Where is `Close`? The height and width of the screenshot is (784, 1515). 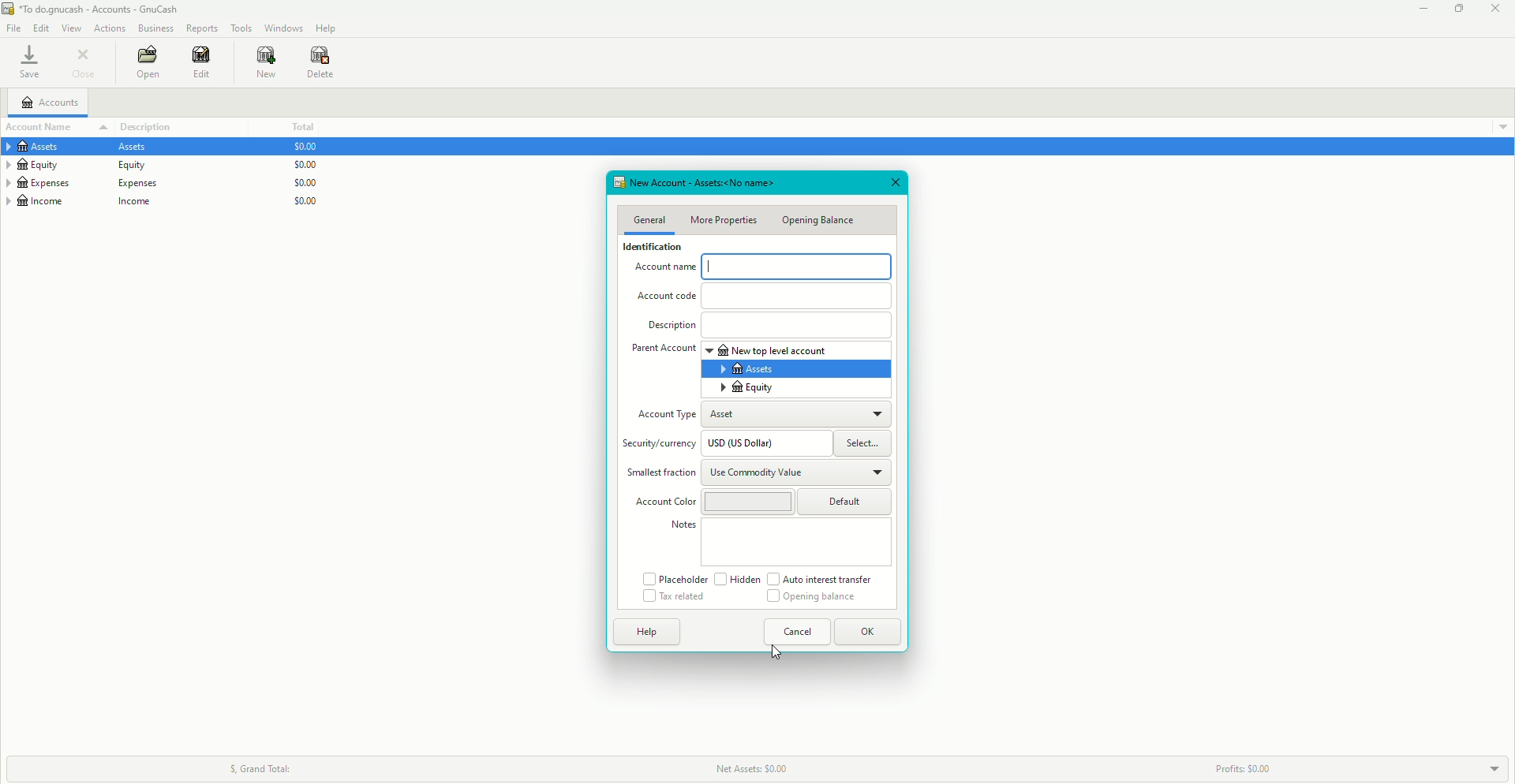 Close is located at coordinates (87, 64).